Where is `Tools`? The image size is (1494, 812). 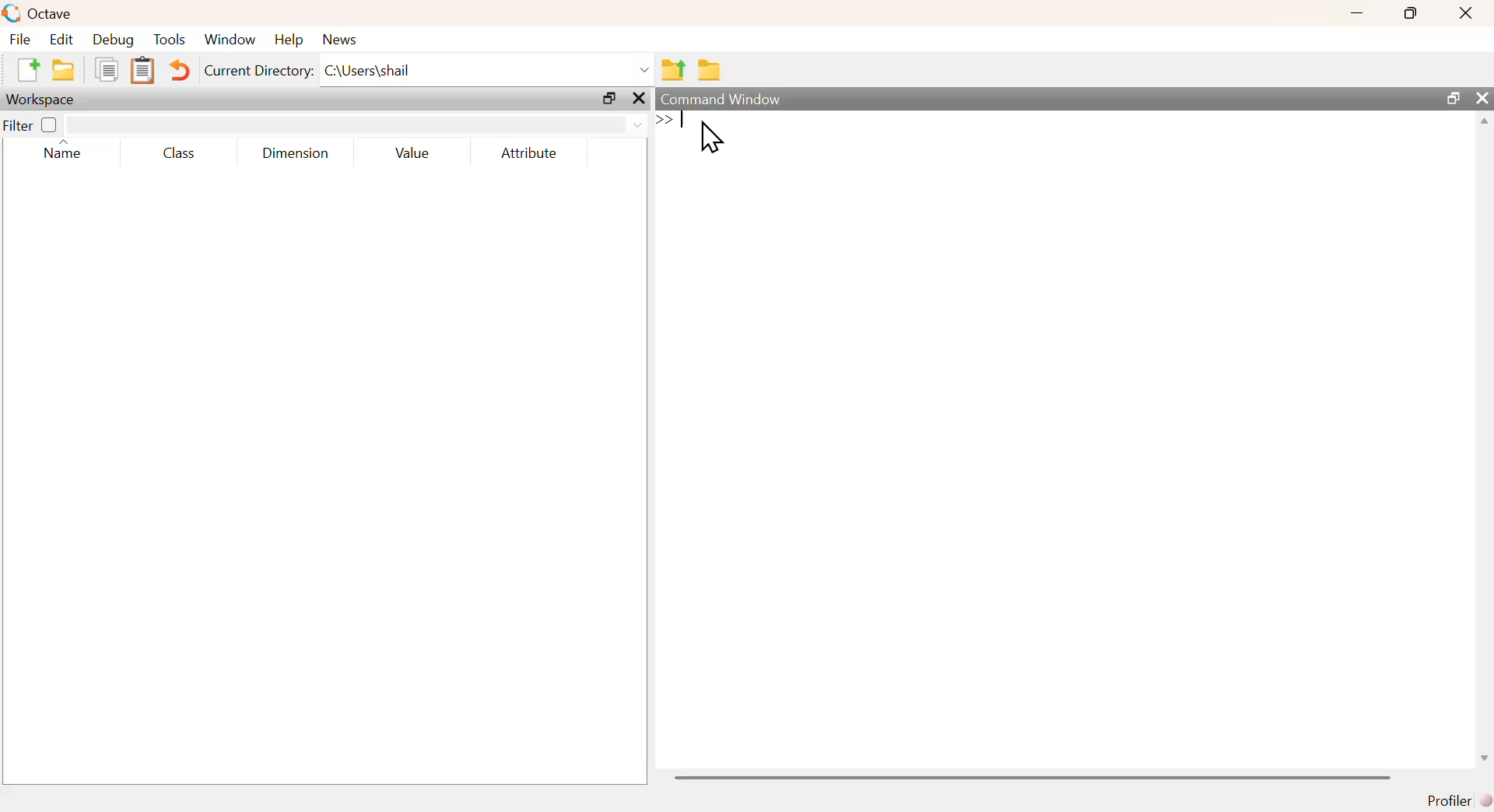
Tools is located at coordinates (170, 39).